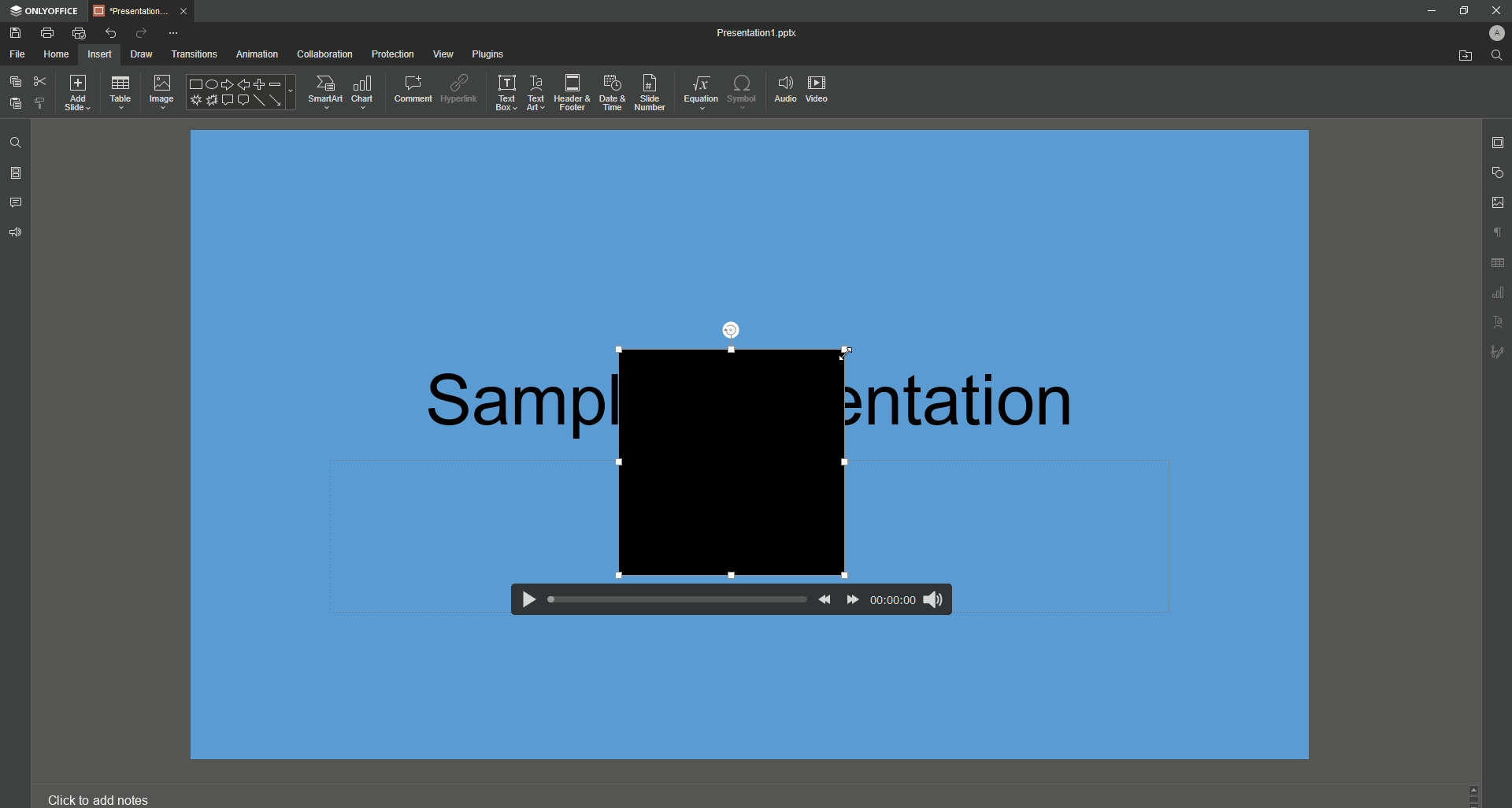 This screenshot has width=1512, height=808. What do you see at coordinates (365, 91) in the screenshot?
I see `Chart` at bounding box center [365, 91].